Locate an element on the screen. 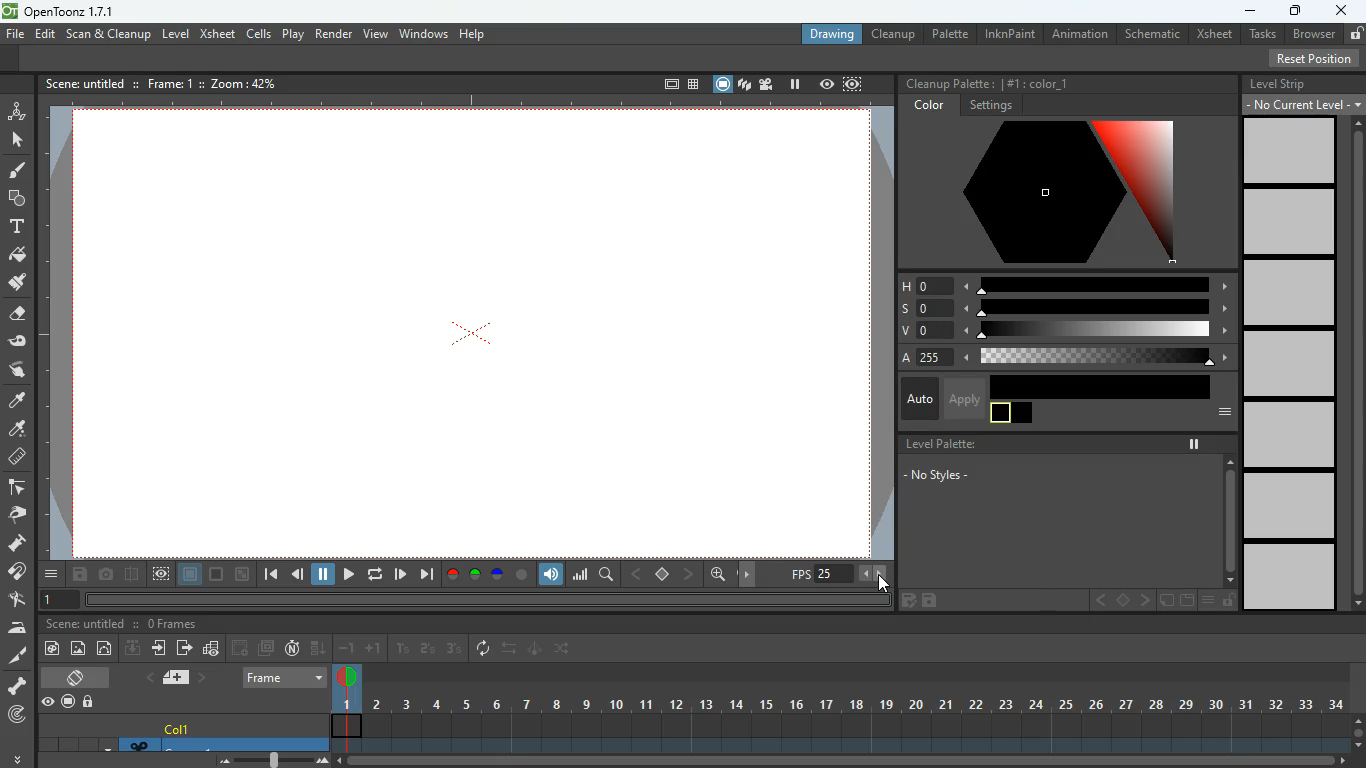 This screenshot has height=768, width=1366. schematic is located at coordinates (1153, 33).